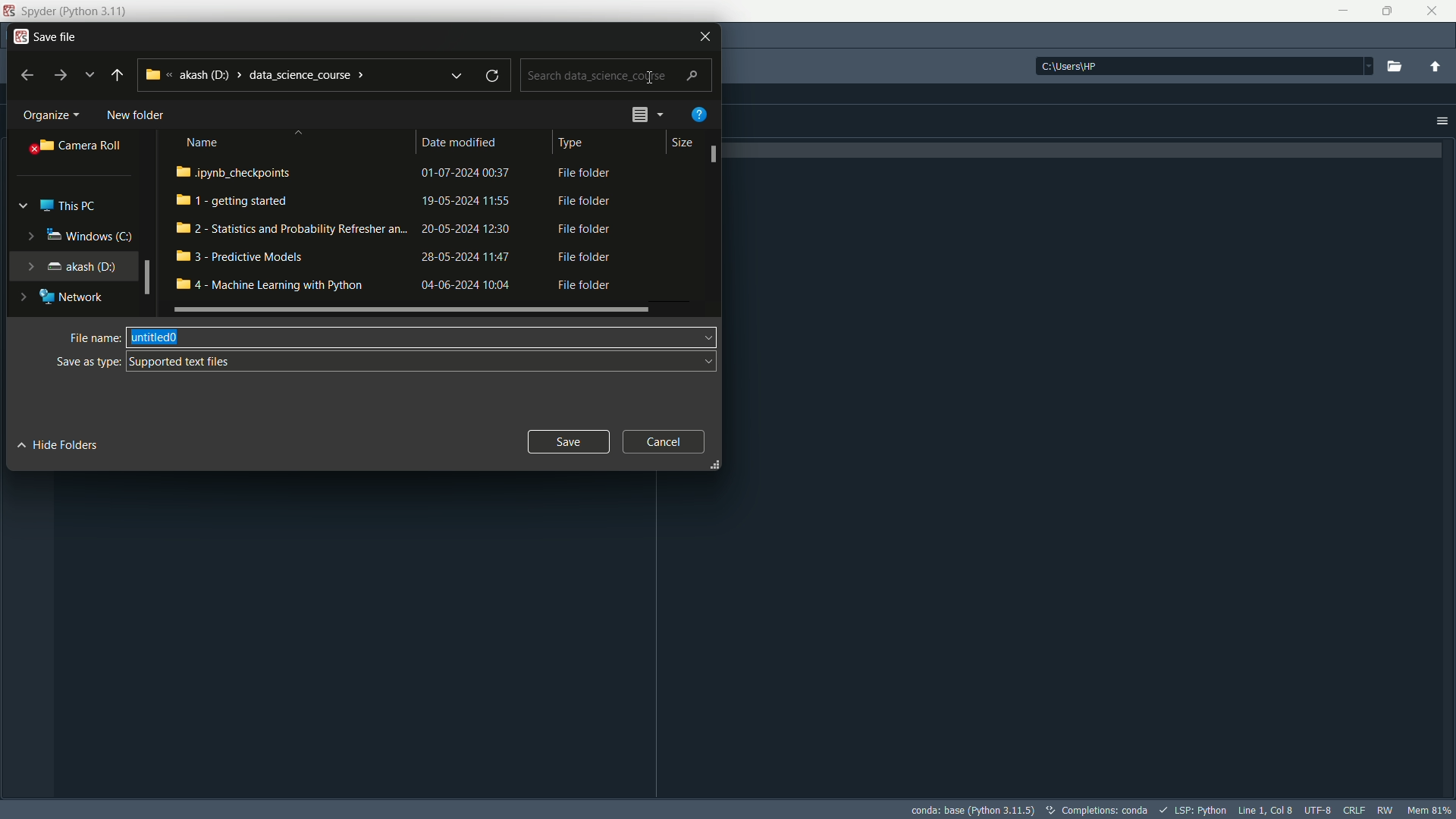 This screenshot has width=1456, height=819. I want to click on save, so click(567, 441).